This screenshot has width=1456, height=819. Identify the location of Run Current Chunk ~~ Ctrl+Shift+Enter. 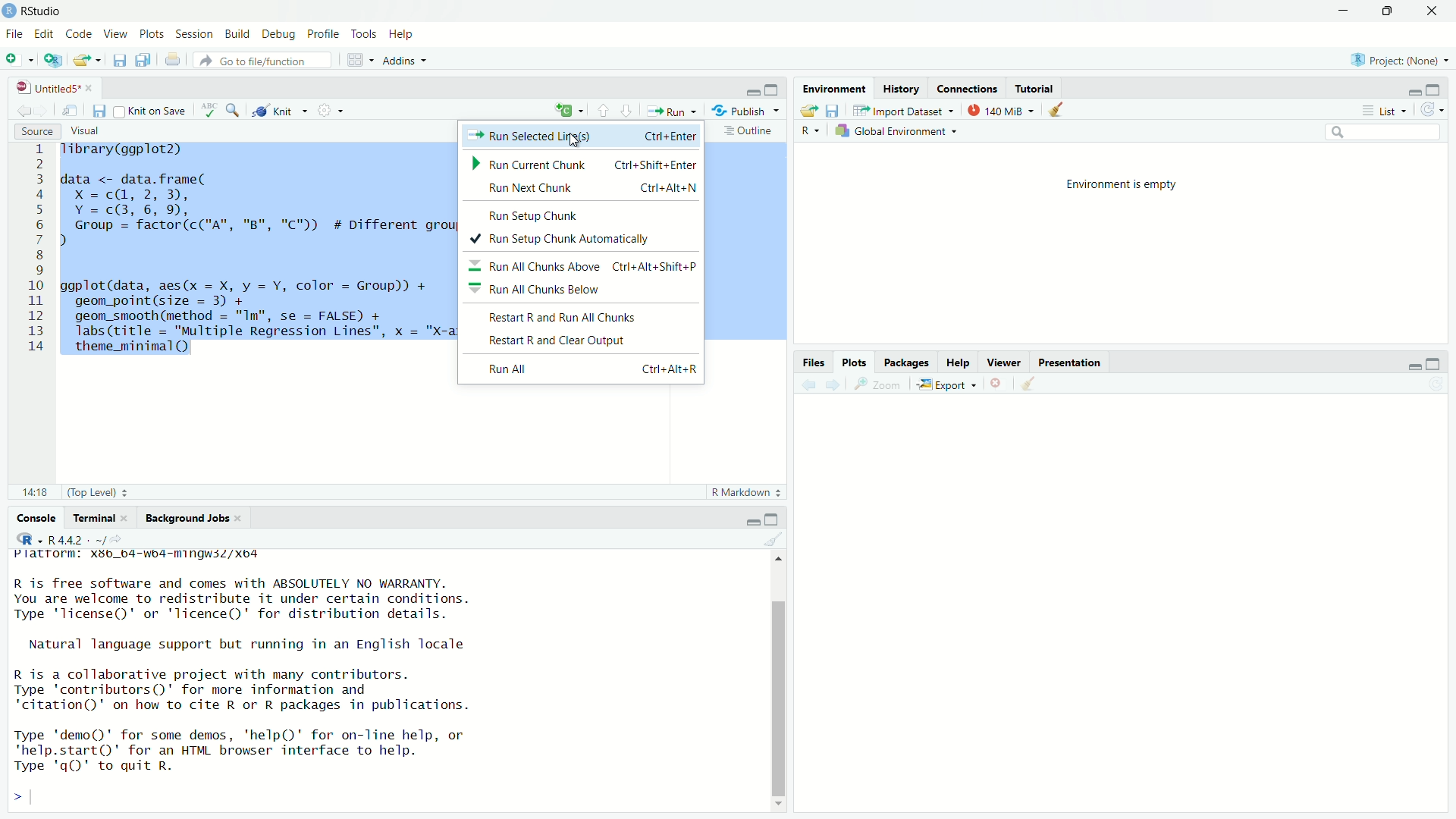
(580, 163).